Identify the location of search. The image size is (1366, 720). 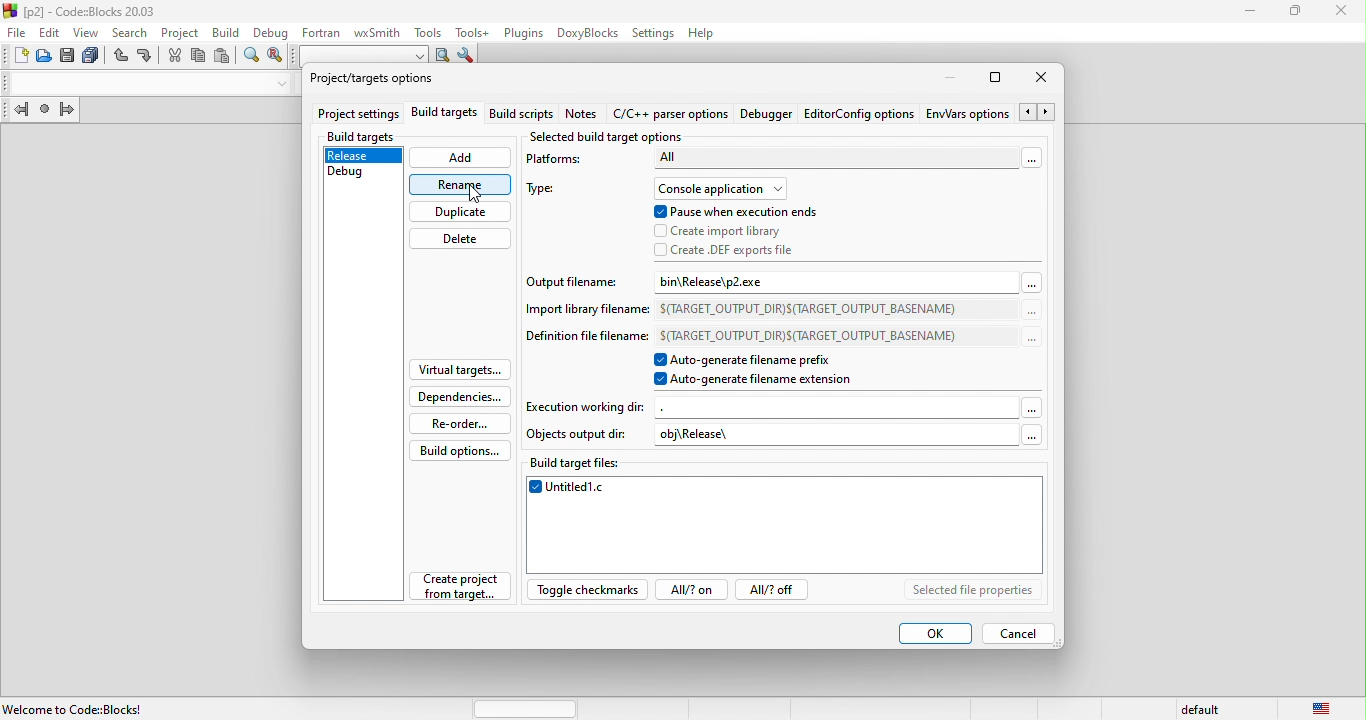
(132, 31).